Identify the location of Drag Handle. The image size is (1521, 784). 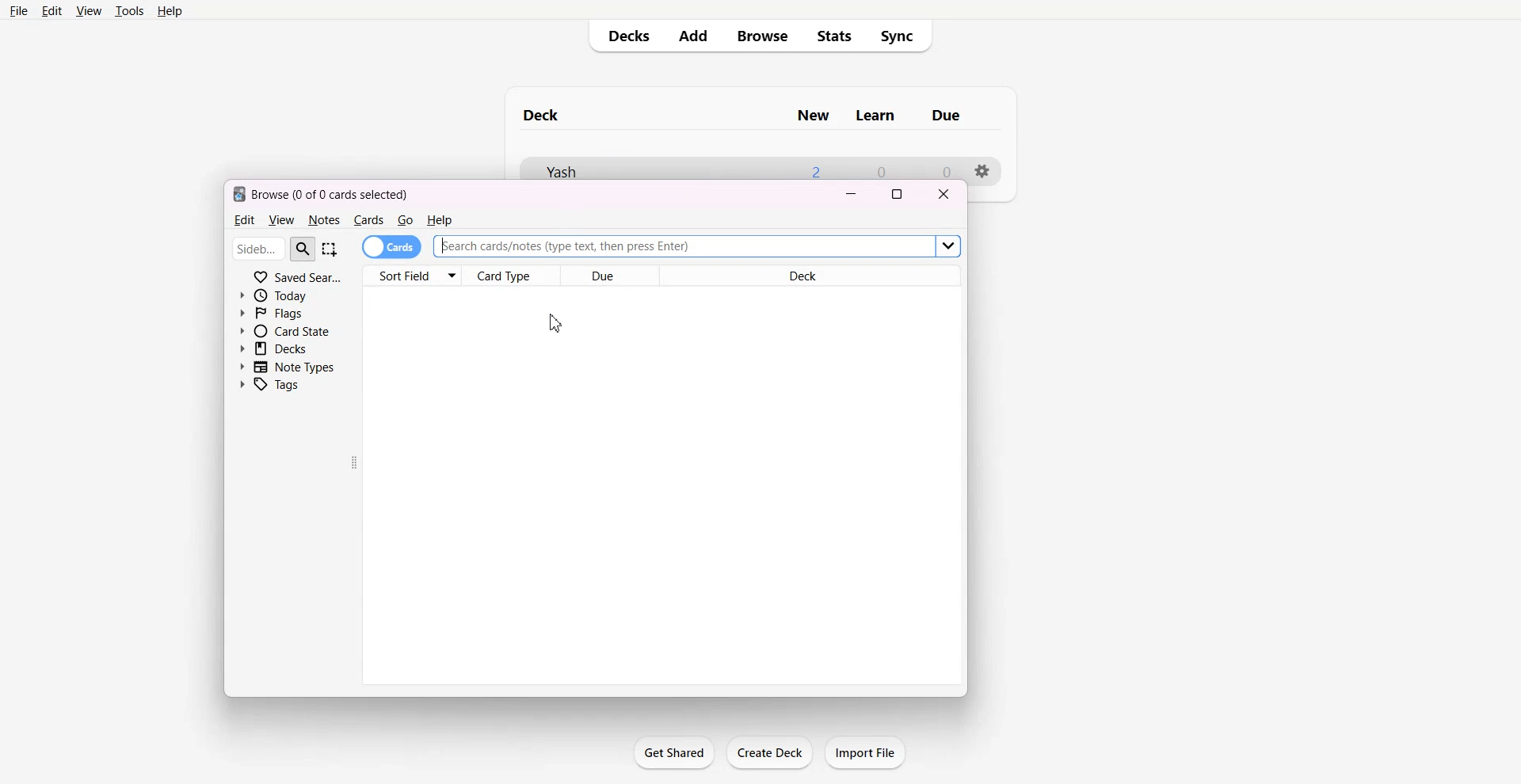
(357, 464).